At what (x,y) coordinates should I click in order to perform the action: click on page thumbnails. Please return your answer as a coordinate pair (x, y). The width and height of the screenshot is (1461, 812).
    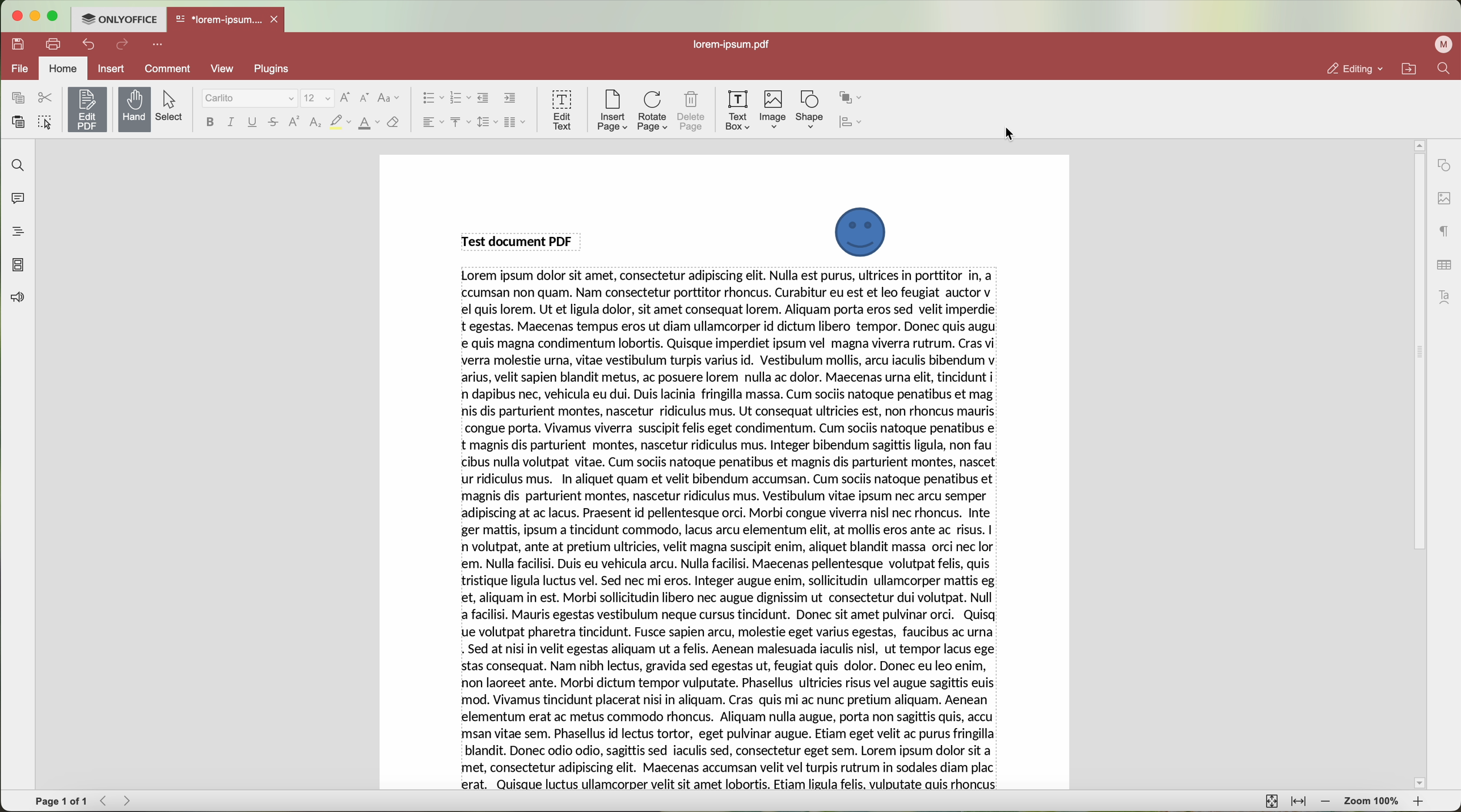
    Looking at the image, I should click on (18, 266).